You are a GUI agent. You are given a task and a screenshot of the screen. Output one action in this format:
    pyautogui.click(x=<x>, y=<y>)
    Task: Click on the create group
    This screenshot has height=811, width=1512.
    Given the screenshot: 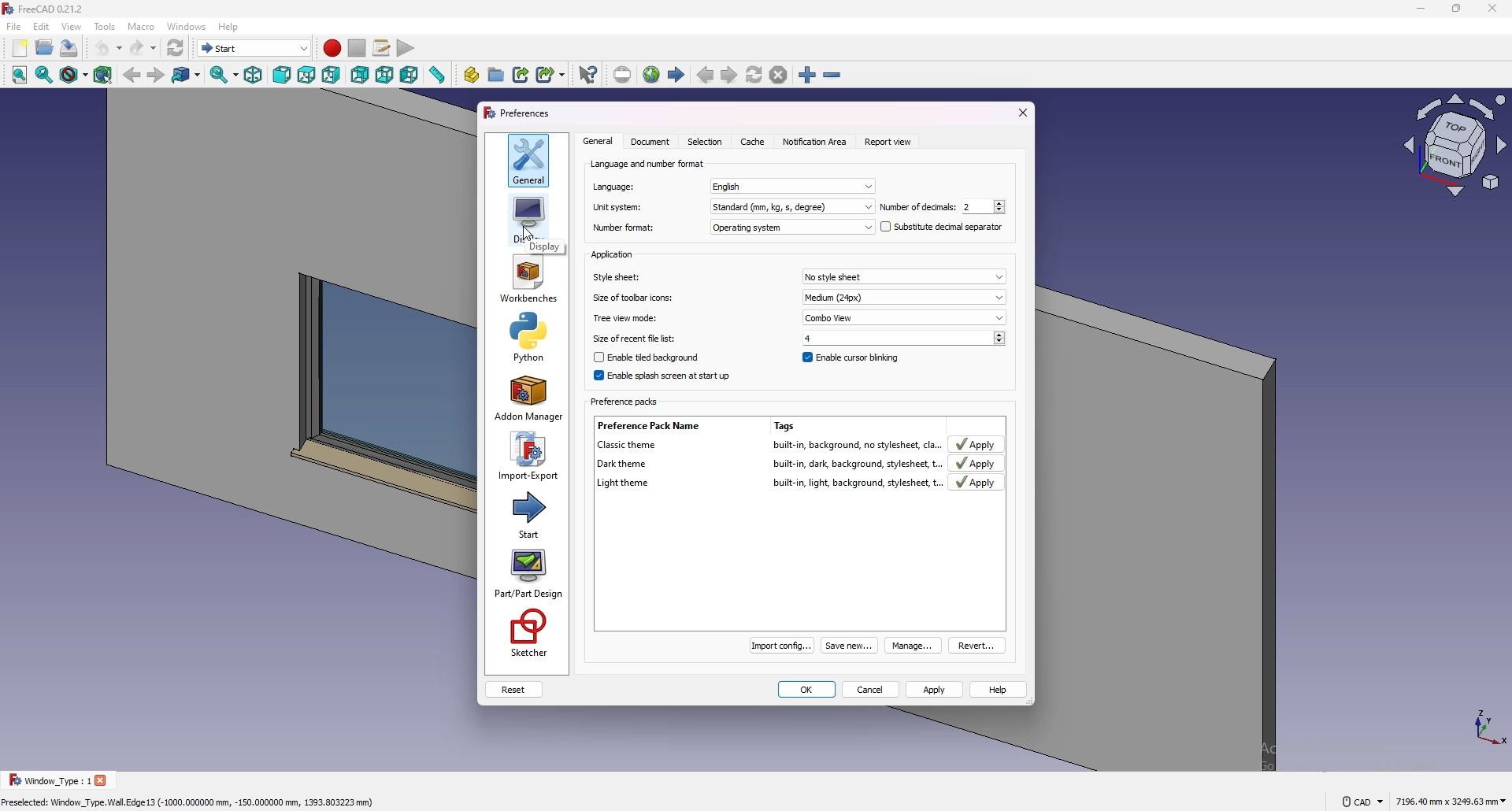 What is the action you would take?
    pyautogui.click(x=498, y=74)
    